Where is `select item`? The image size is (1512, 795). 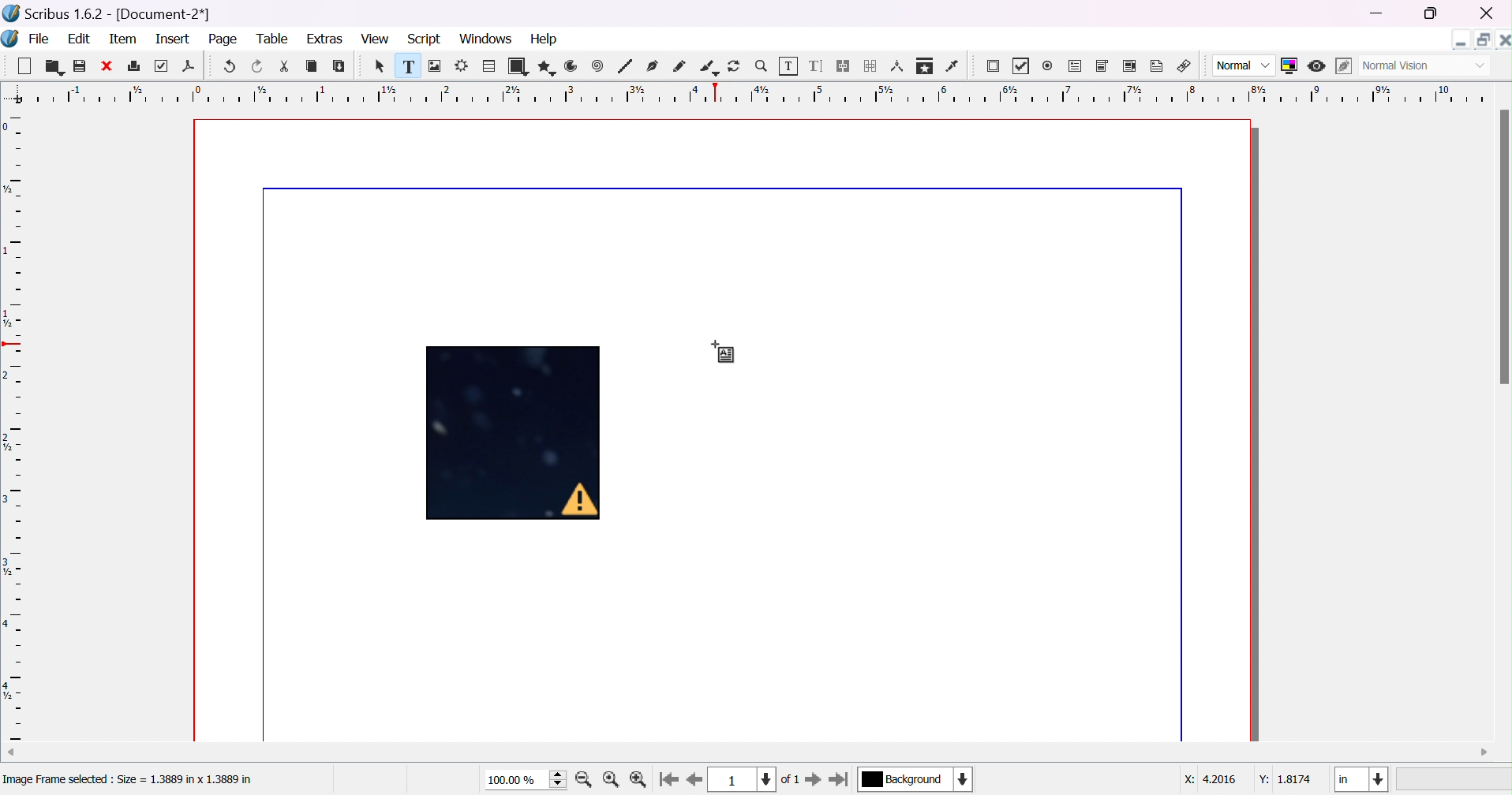 select item is located at coordinates (382, 68).